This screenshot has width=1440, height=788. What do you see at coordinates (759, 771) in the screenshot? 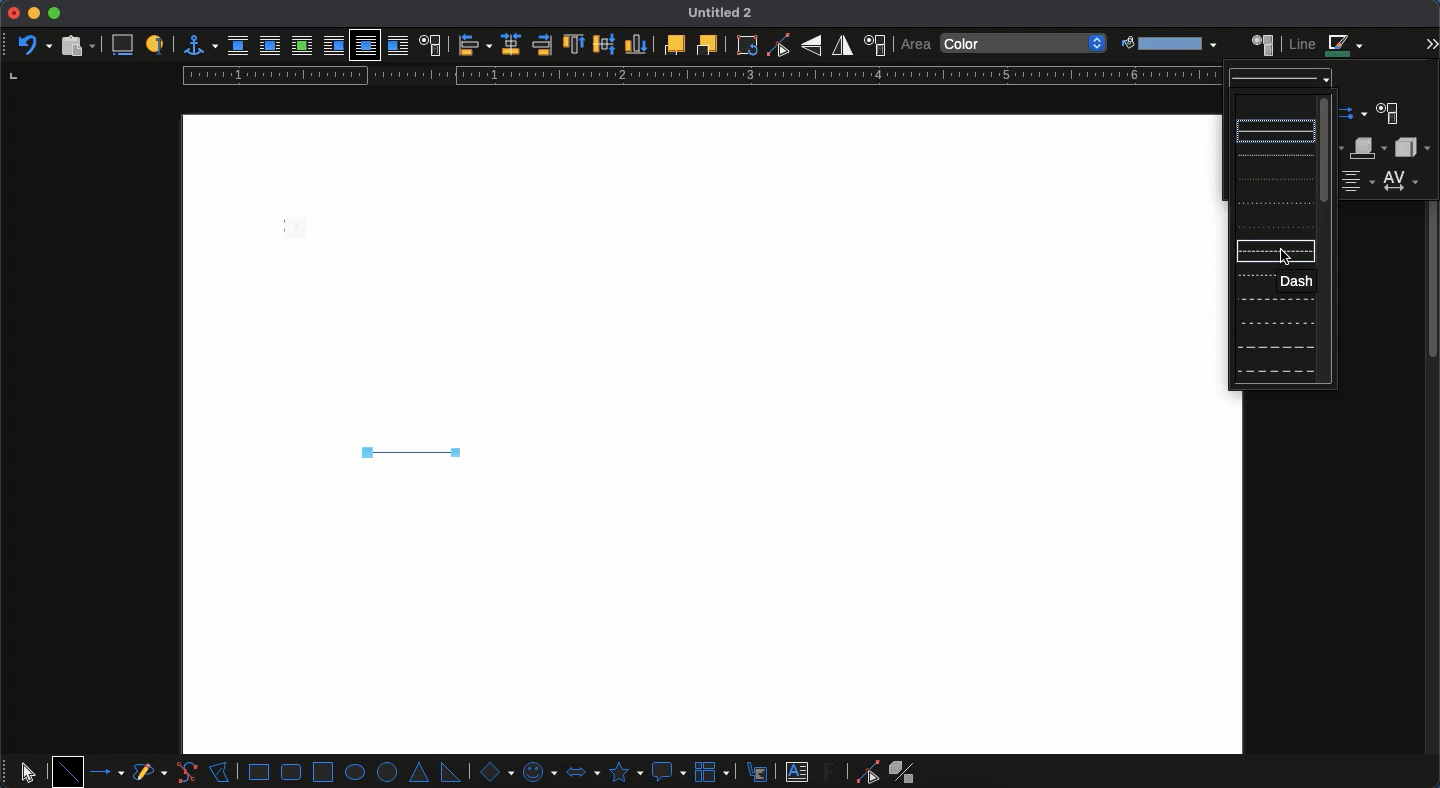
I see `callouts` at bounding box center [759, 771].